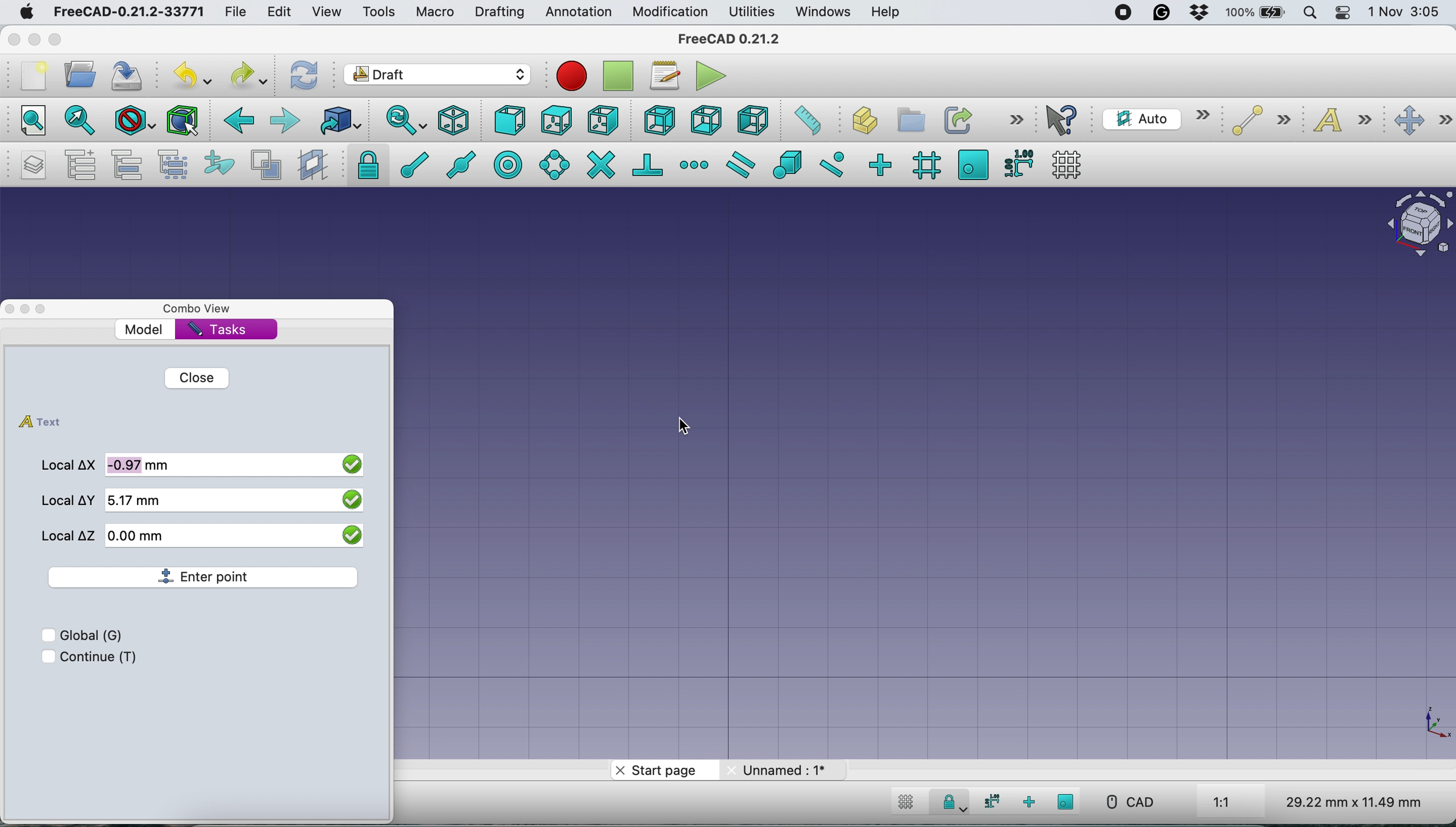 The width and height of the screenshot is (1456, 827). I want to click on dimensions, so click(1350, 801).